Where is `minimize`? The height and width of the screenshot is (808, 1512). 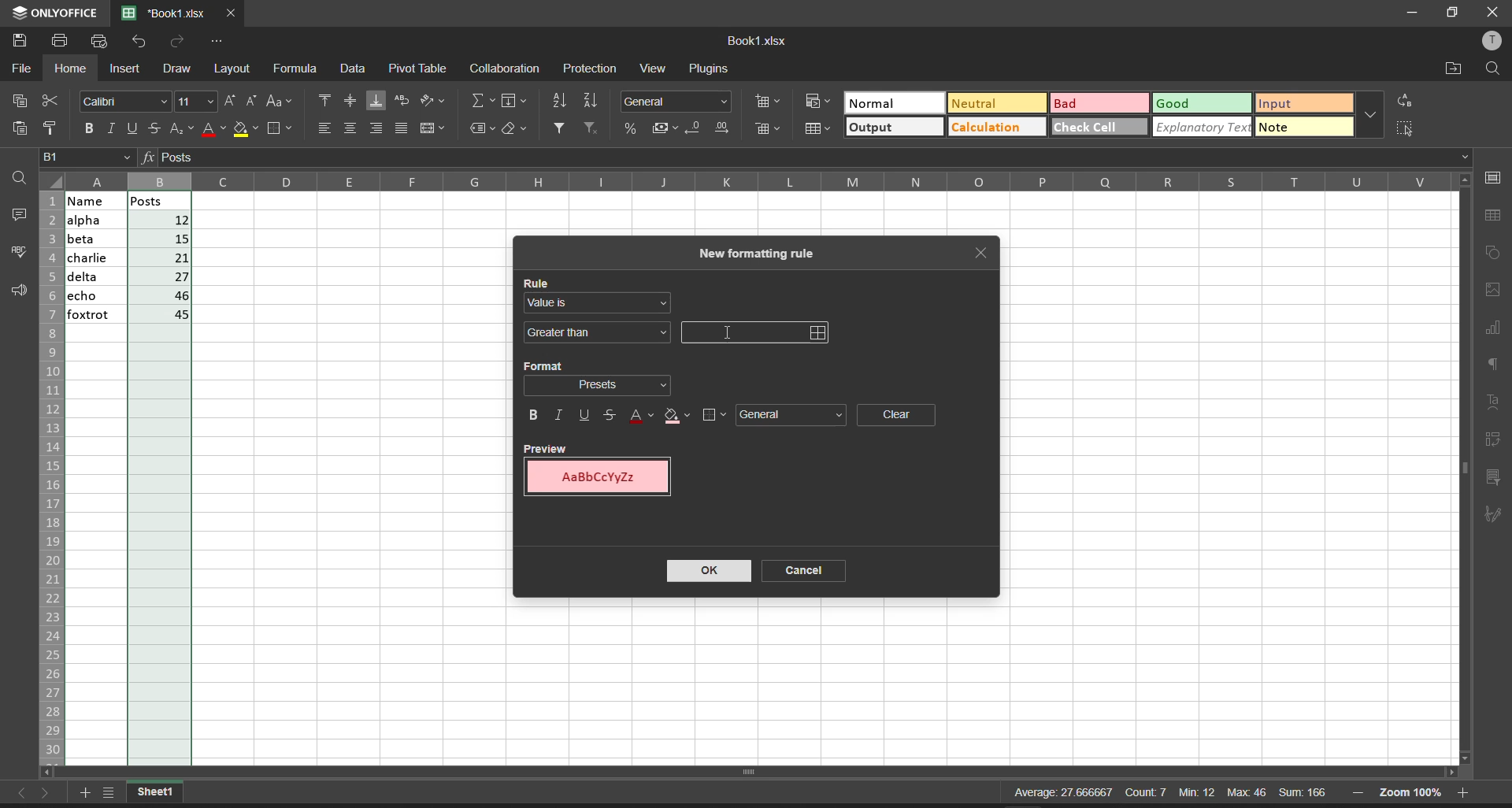
minimize is located at coordinates (1414, 12).